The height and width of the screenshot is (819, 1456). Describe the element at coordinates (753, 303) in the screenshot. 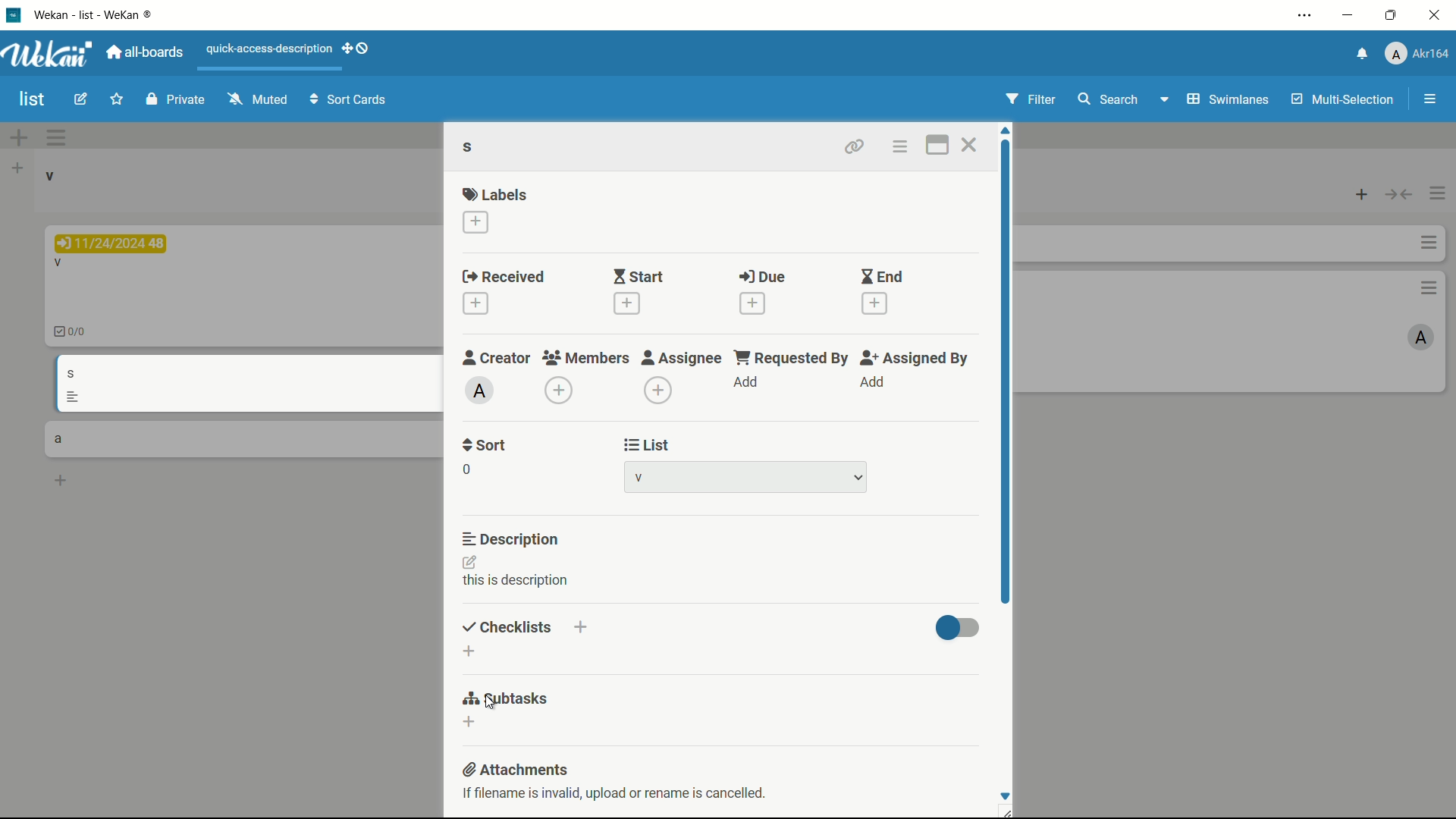

I see `add due date` at that location.